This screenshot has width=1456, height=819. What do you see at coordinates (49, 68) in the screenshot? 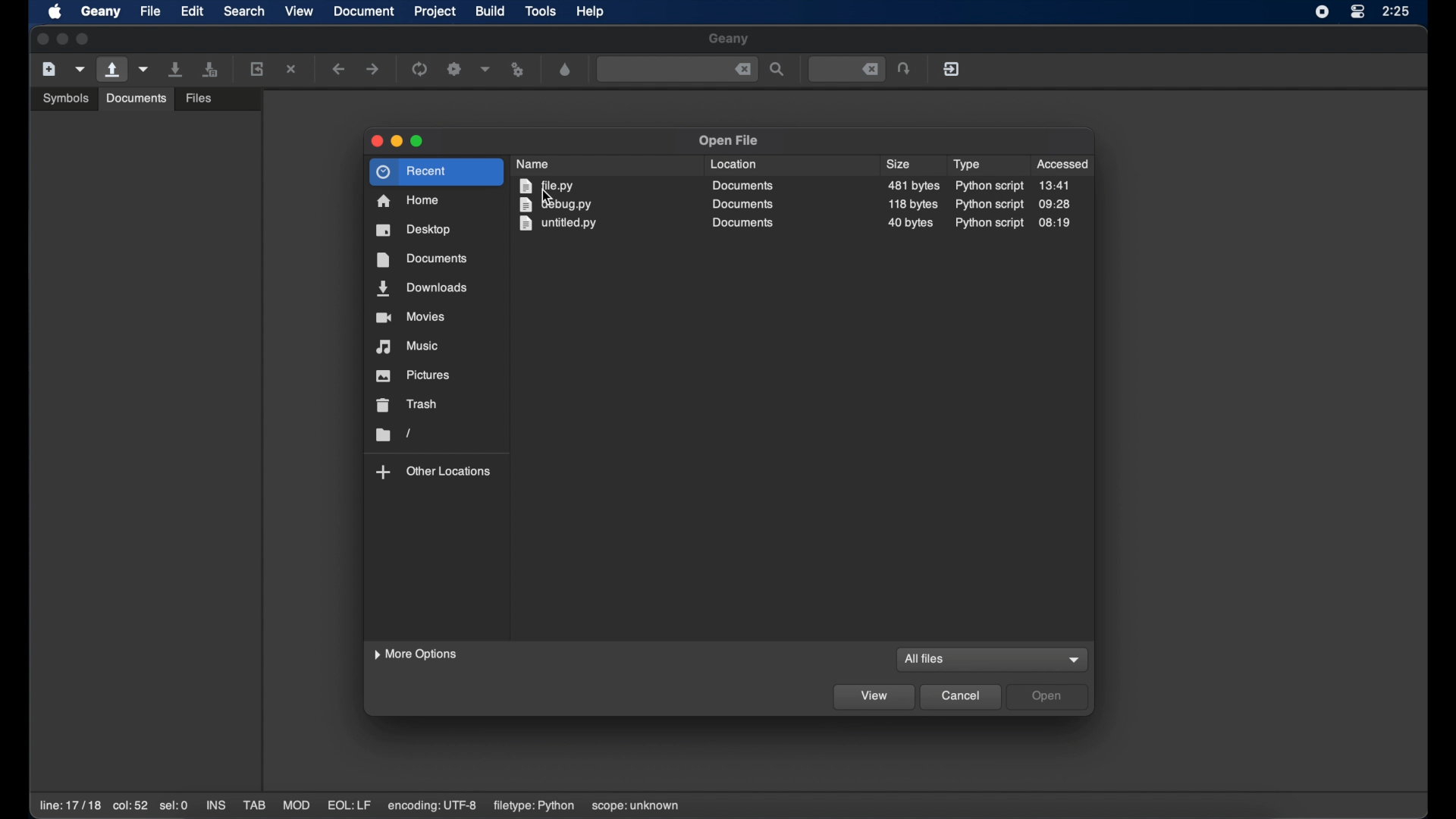
I see `create new` at bounding box center [49, 68].